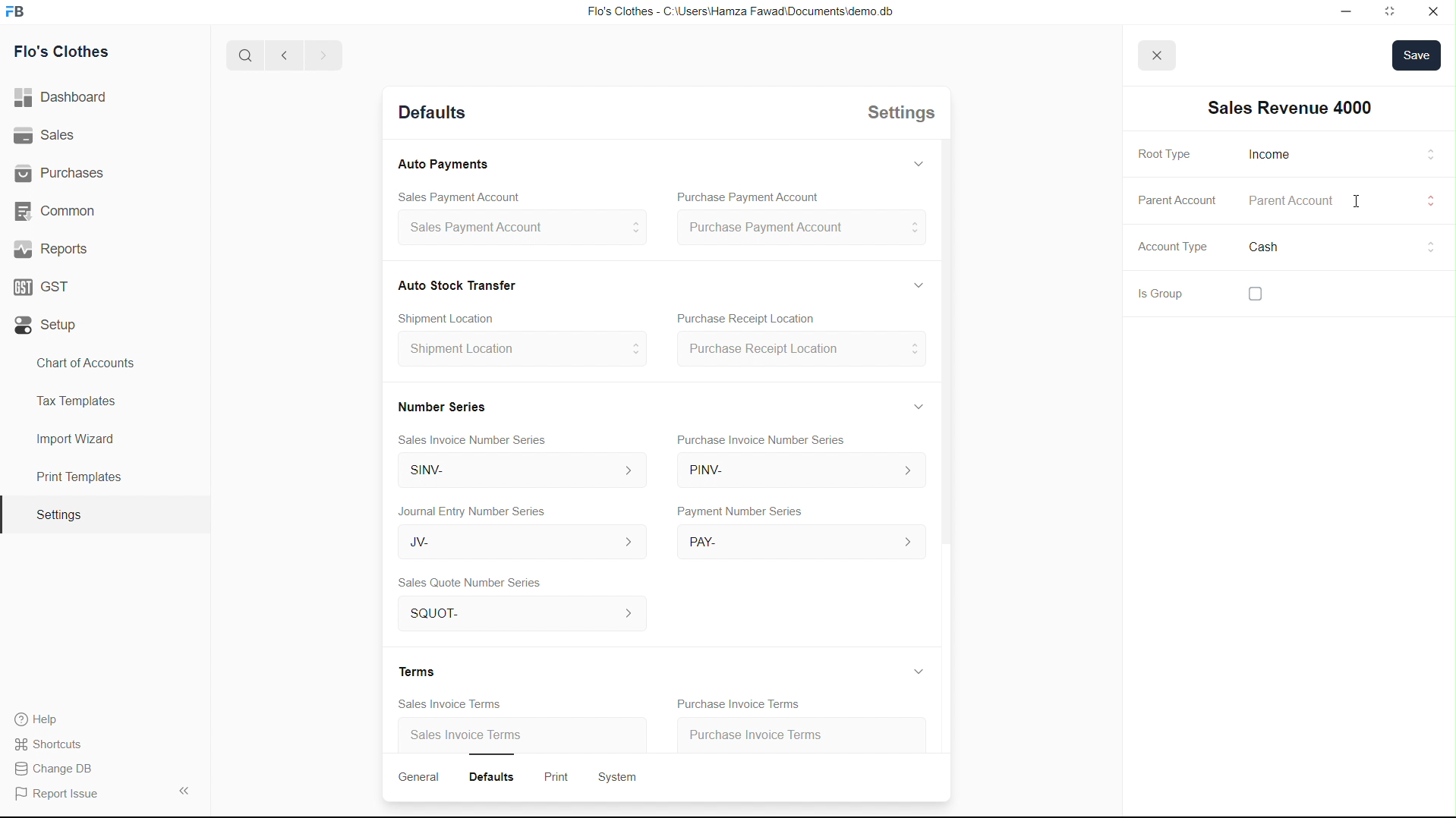 The image size is (1456, 818). I want to click on Auto Payments, so click(443, 165).